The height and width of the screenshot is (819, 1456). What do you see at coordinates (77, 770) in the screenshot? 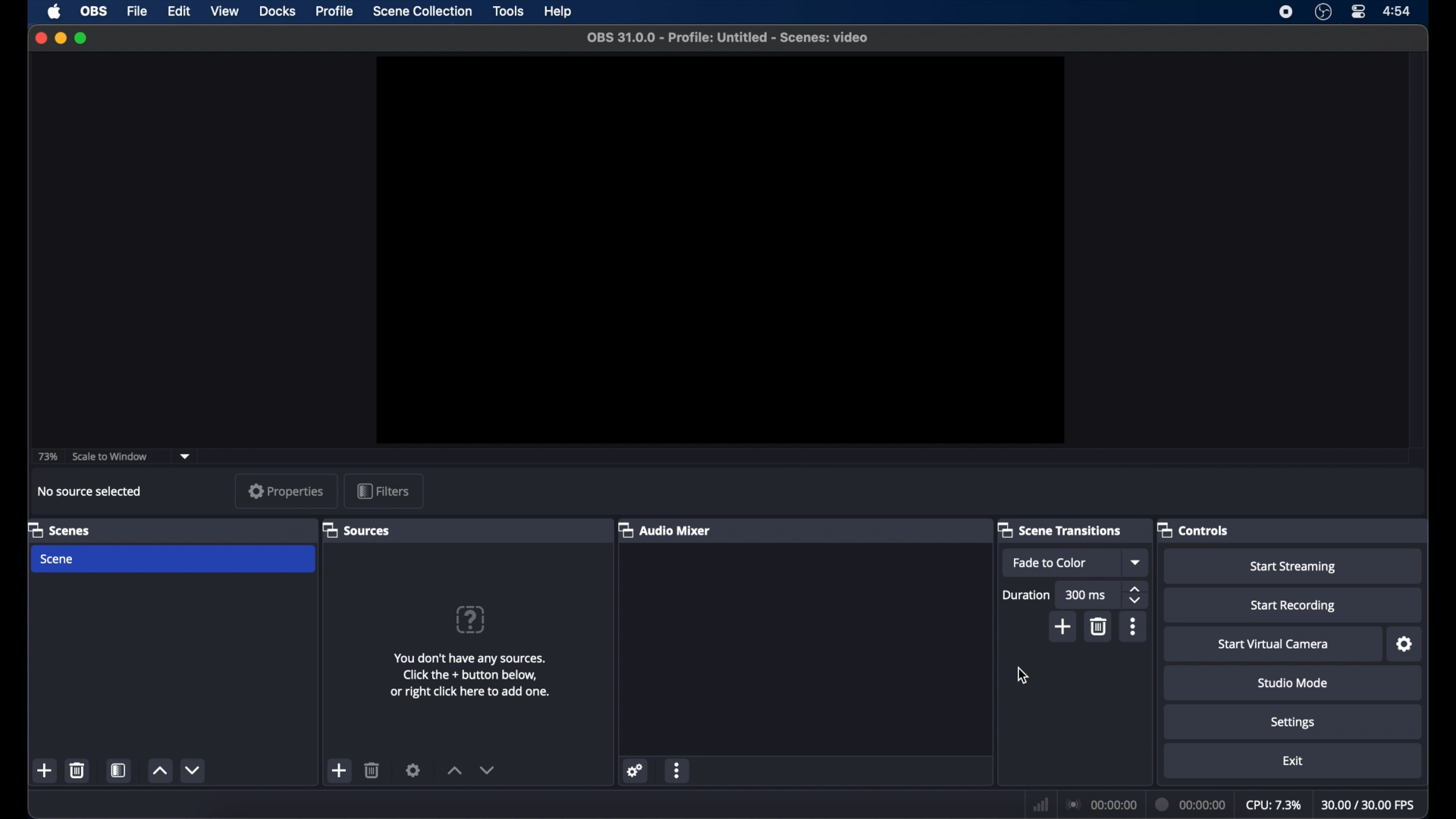
I see `delete` at bounding box center [77, 770].